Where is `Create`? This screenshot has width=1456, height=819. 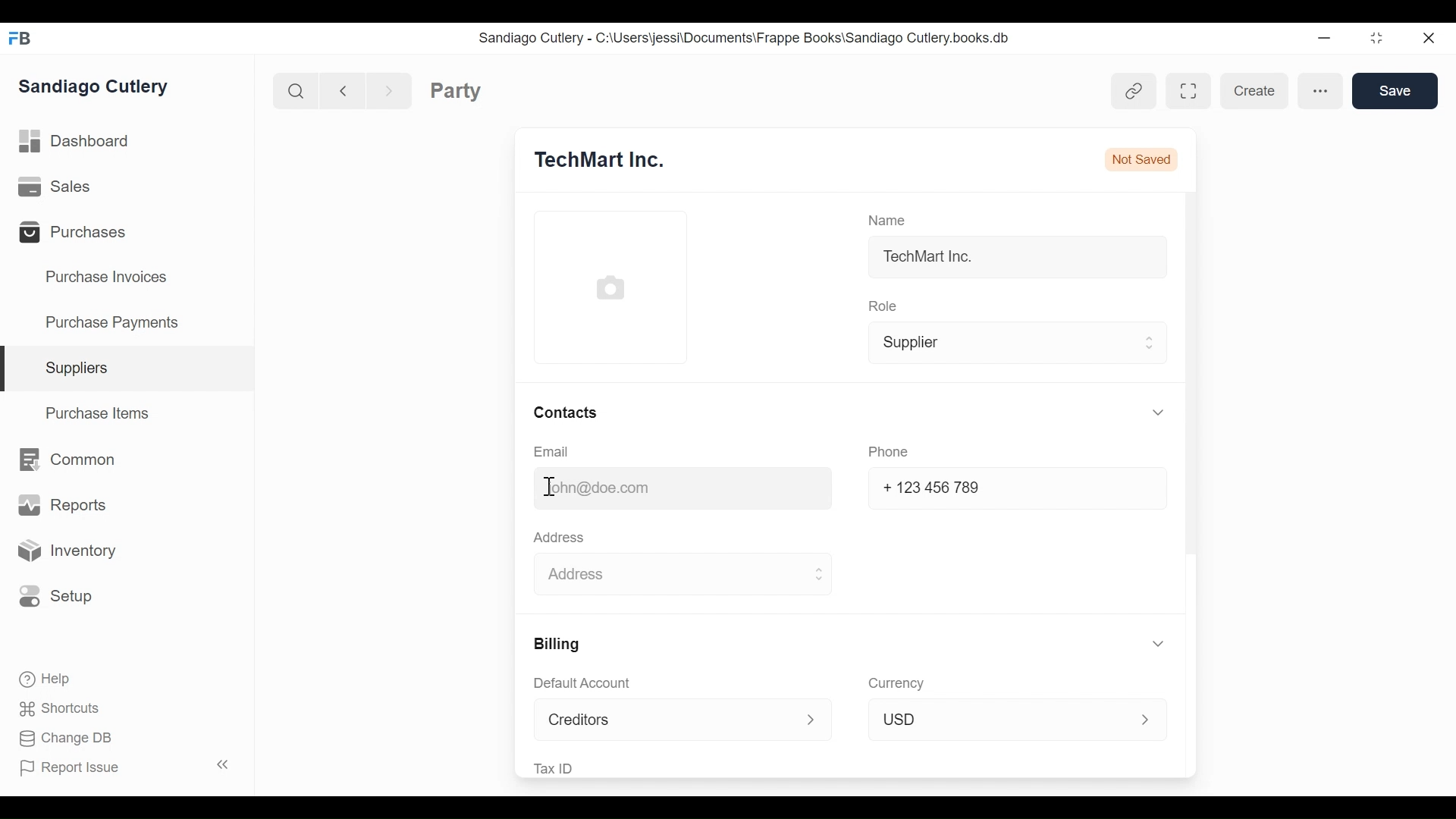
Create is located at coordinates (1252, 91).